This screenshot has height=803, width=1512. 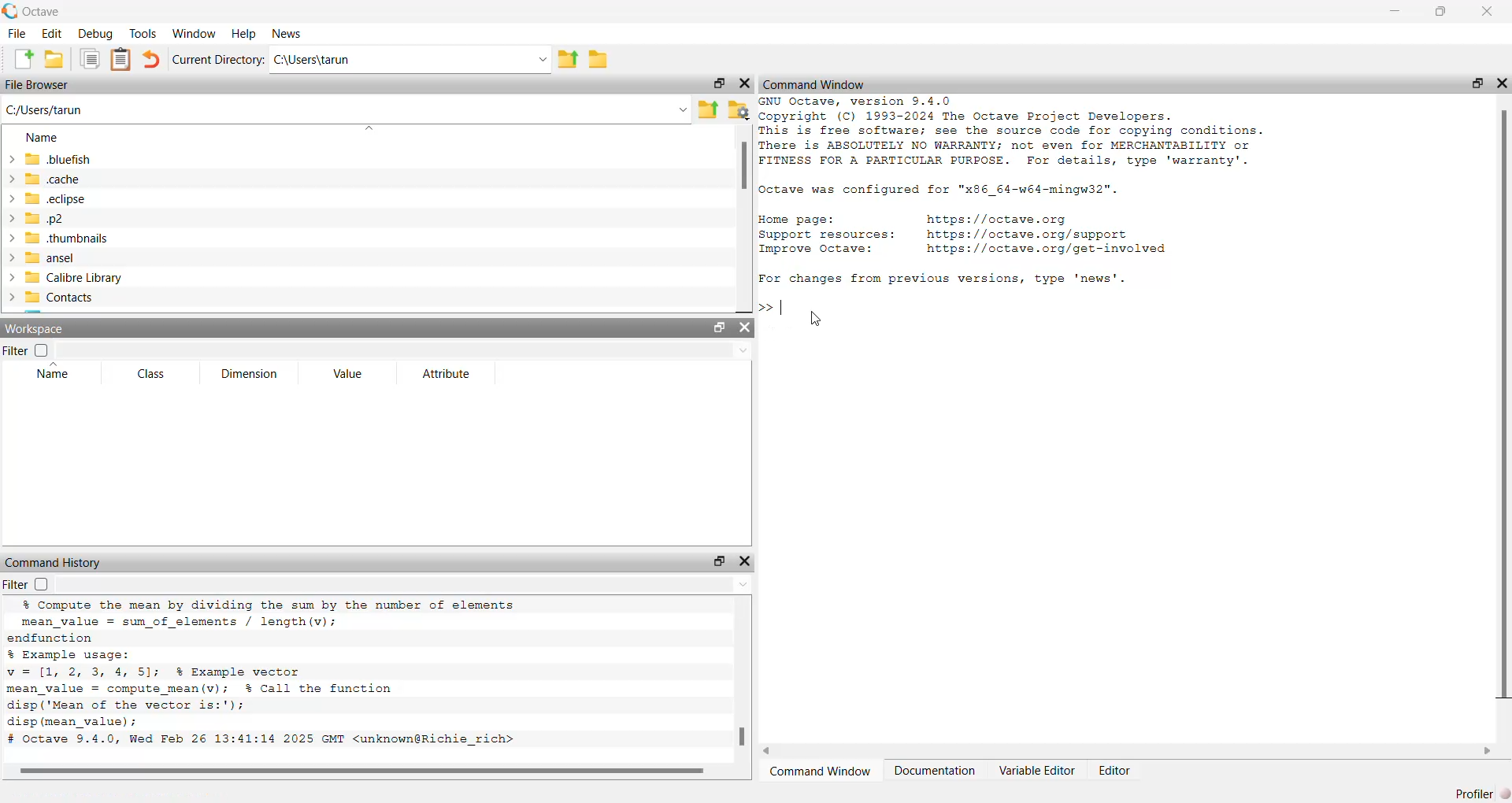 What do you see at coordinates (683, 109) in the screenshot?
I see `Drop-down ` at bounding box center [683, 109].